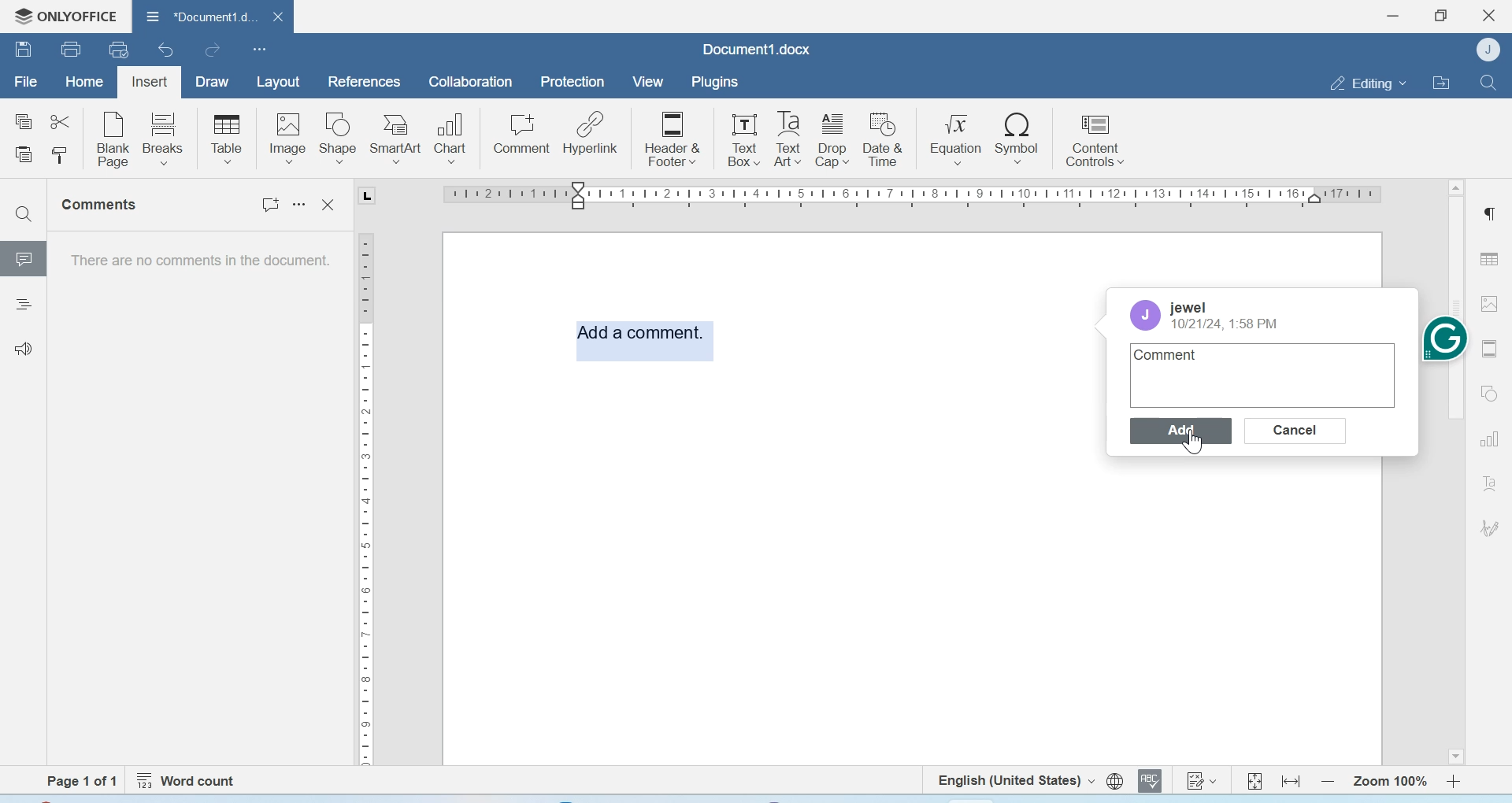  I want to click on Comments, so click(102, 205).